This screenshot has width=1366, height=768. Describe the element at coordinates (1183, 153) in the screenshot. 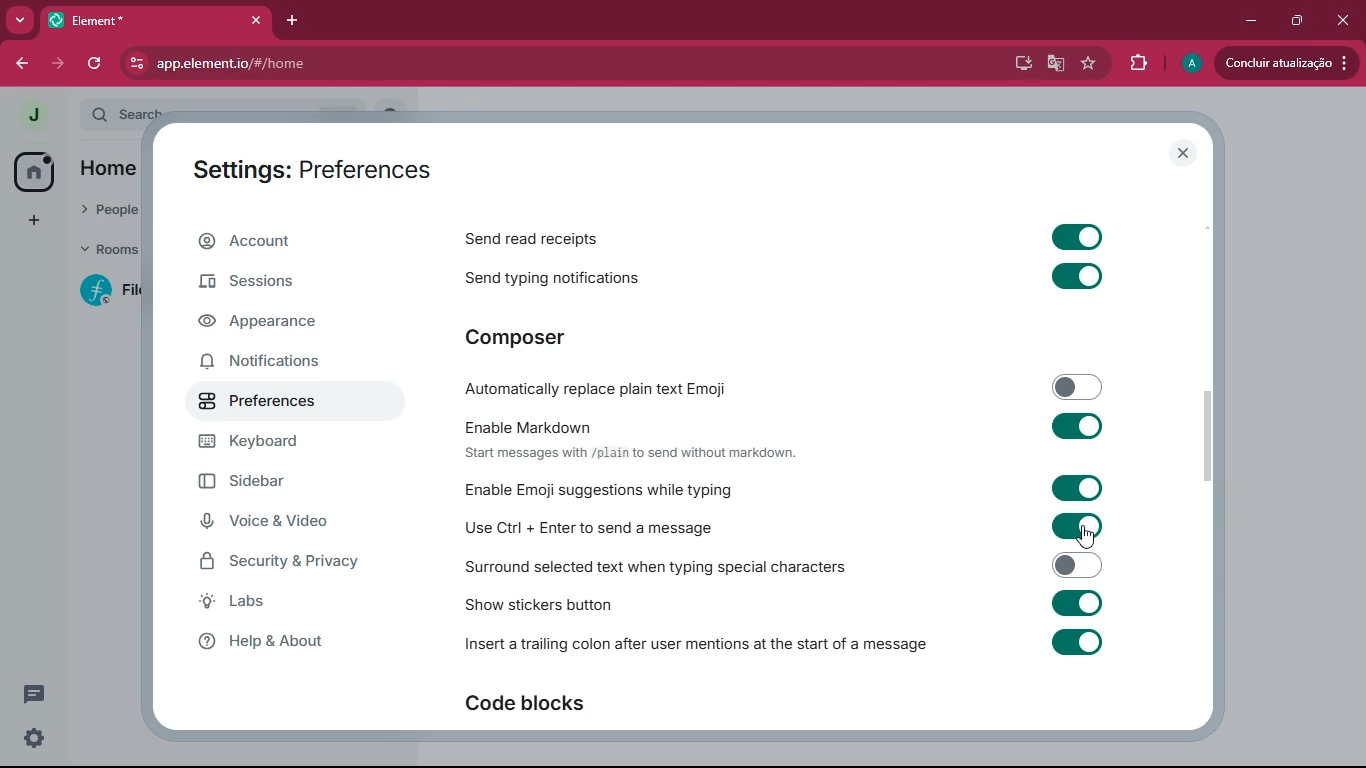

I see `close` at that location.